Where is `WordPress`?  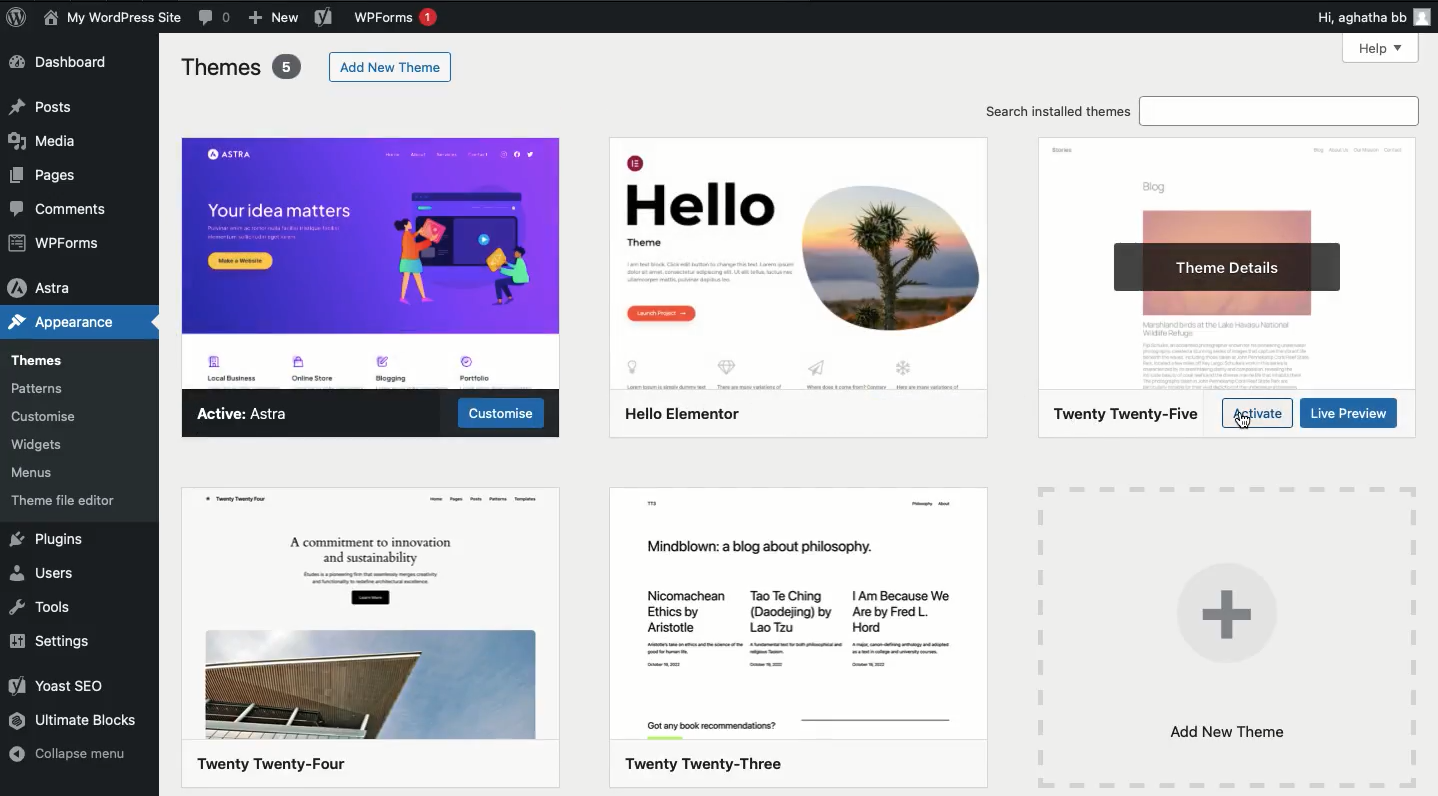
WordPress is located at coordinates (17, 18).